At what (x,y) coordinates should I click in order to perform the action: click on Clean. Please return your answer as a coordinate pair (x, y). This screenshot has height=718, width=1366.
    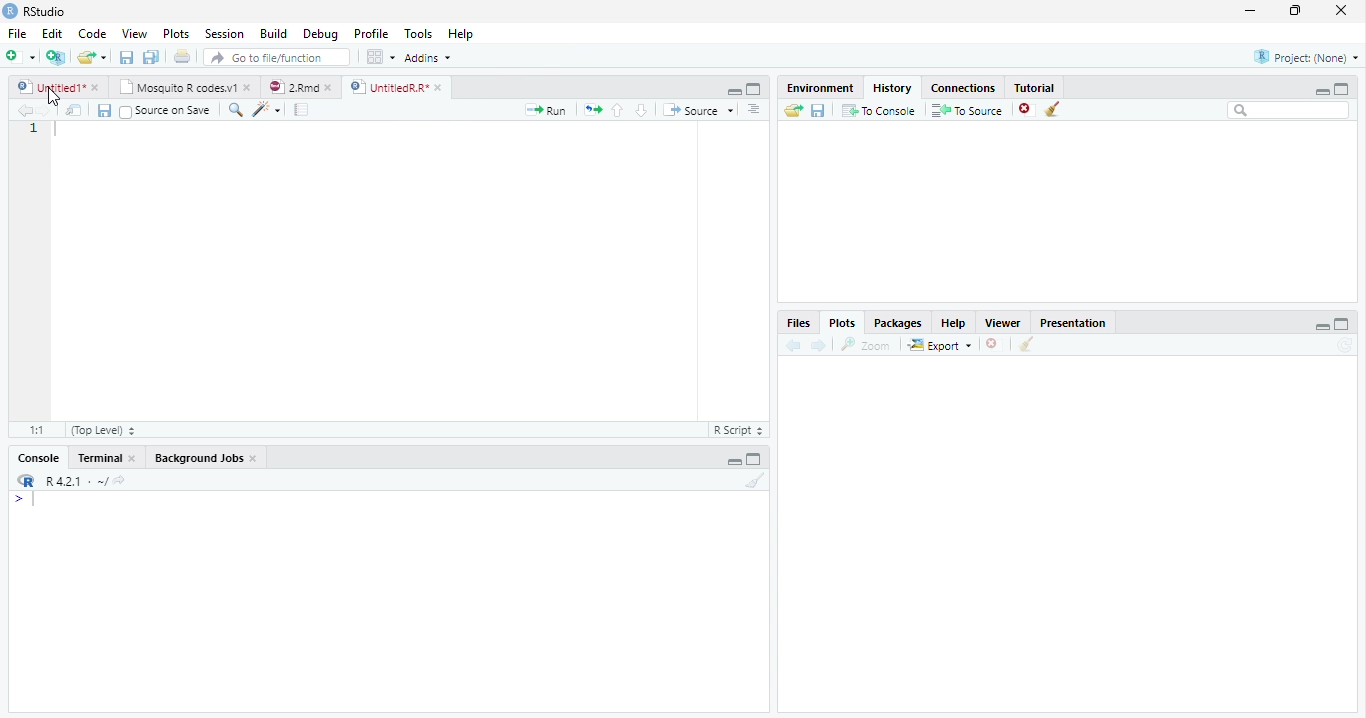
    Looking at the image, I should click on (753, 481).